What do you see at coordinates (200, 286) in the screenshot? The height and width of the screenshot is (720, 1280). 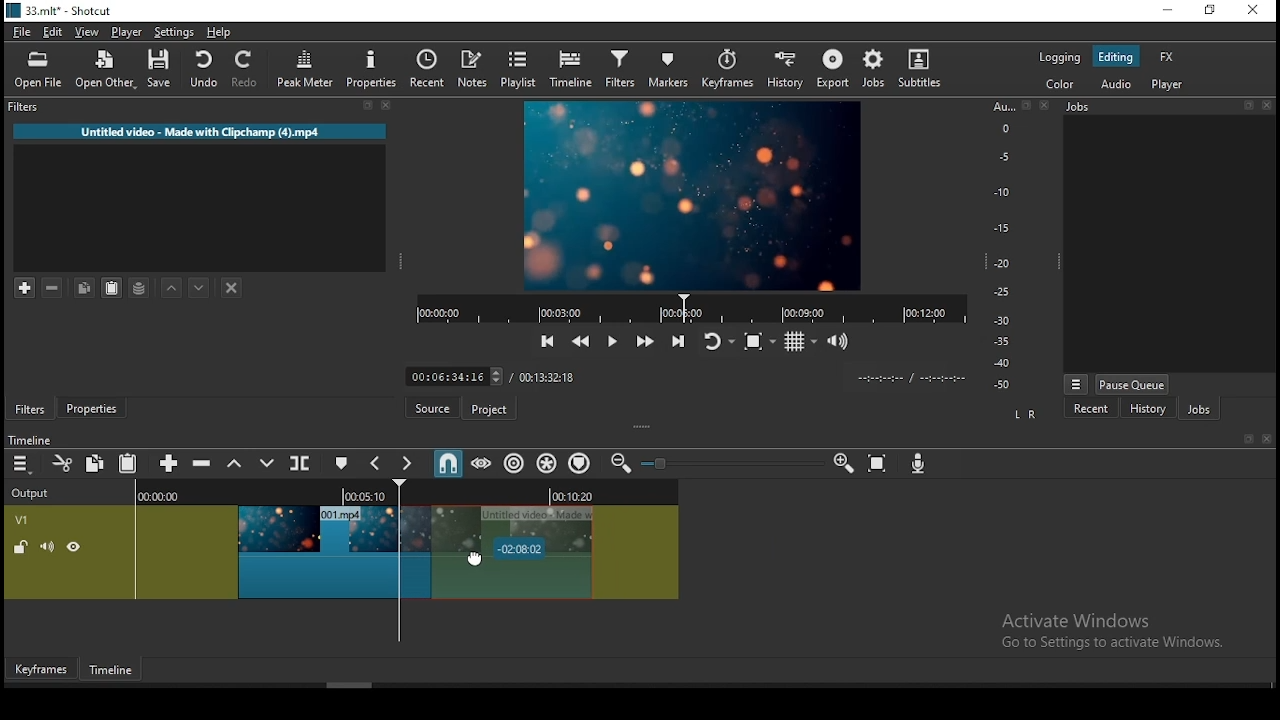 I see `move filter down` at bounding box center [200, 286].